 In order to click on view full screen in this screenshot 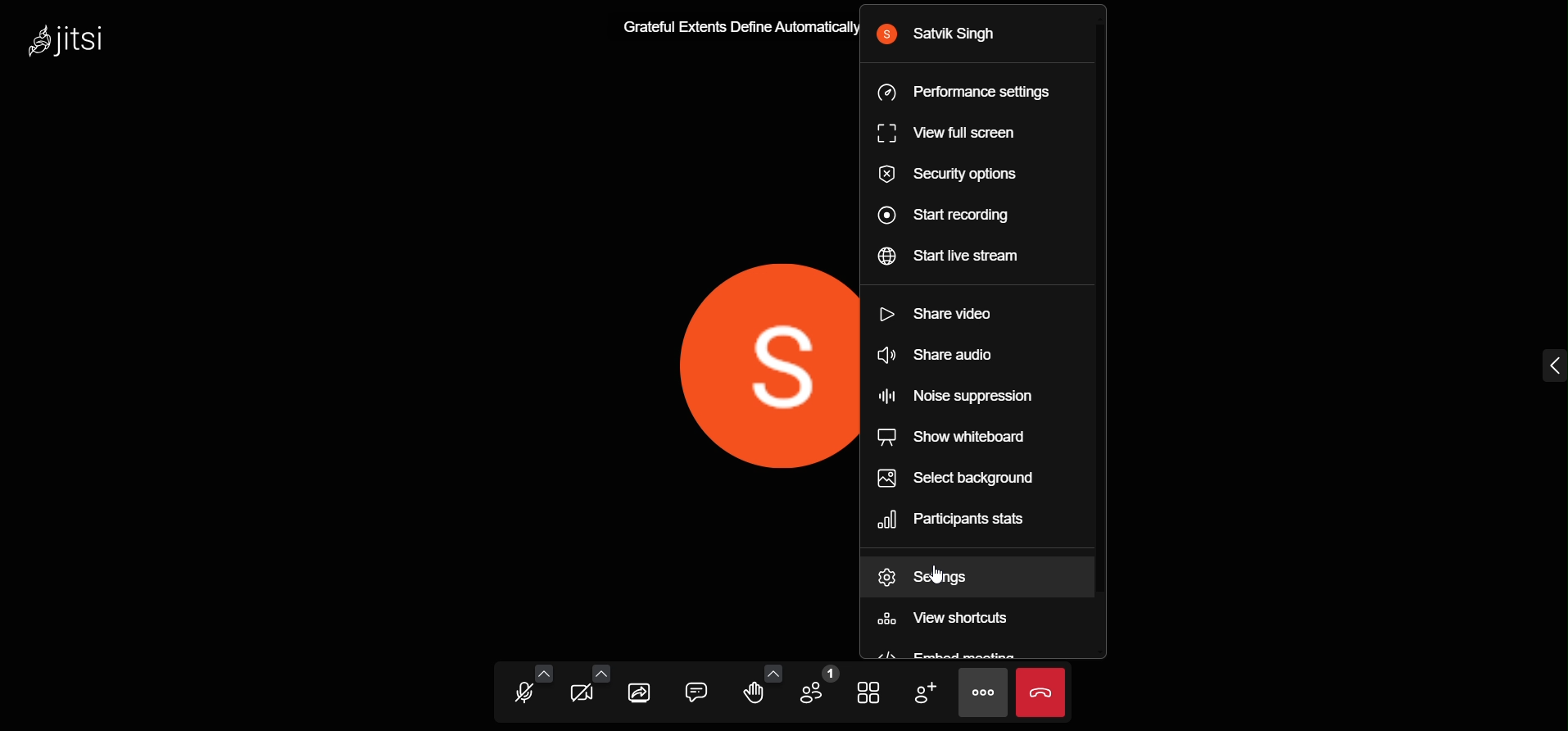, I will do `click(953, 133)`.